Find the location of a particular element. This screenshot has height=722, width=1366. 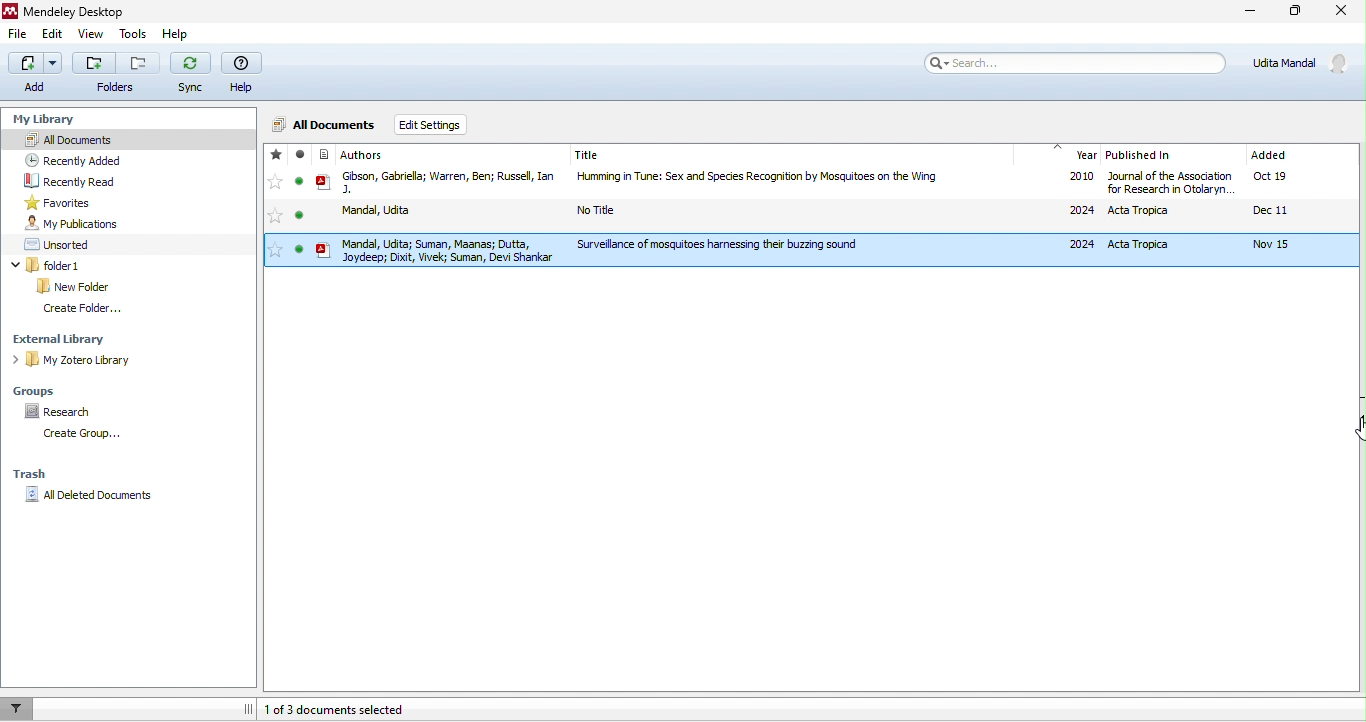

all documents is located at coordinates (125, 139).